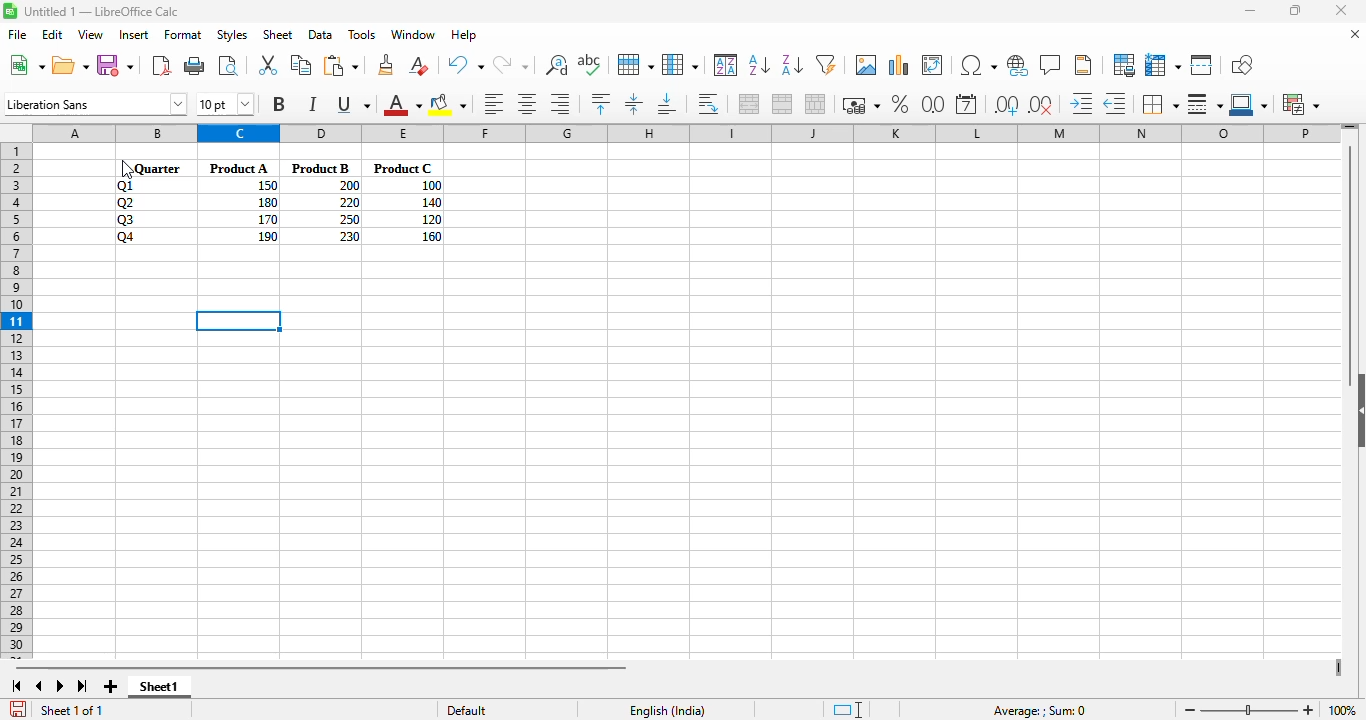 The image size is (1366, 720). Describe the element at coordinates (1241, 64) in the screenshot. I see `show draw functions` at that location.